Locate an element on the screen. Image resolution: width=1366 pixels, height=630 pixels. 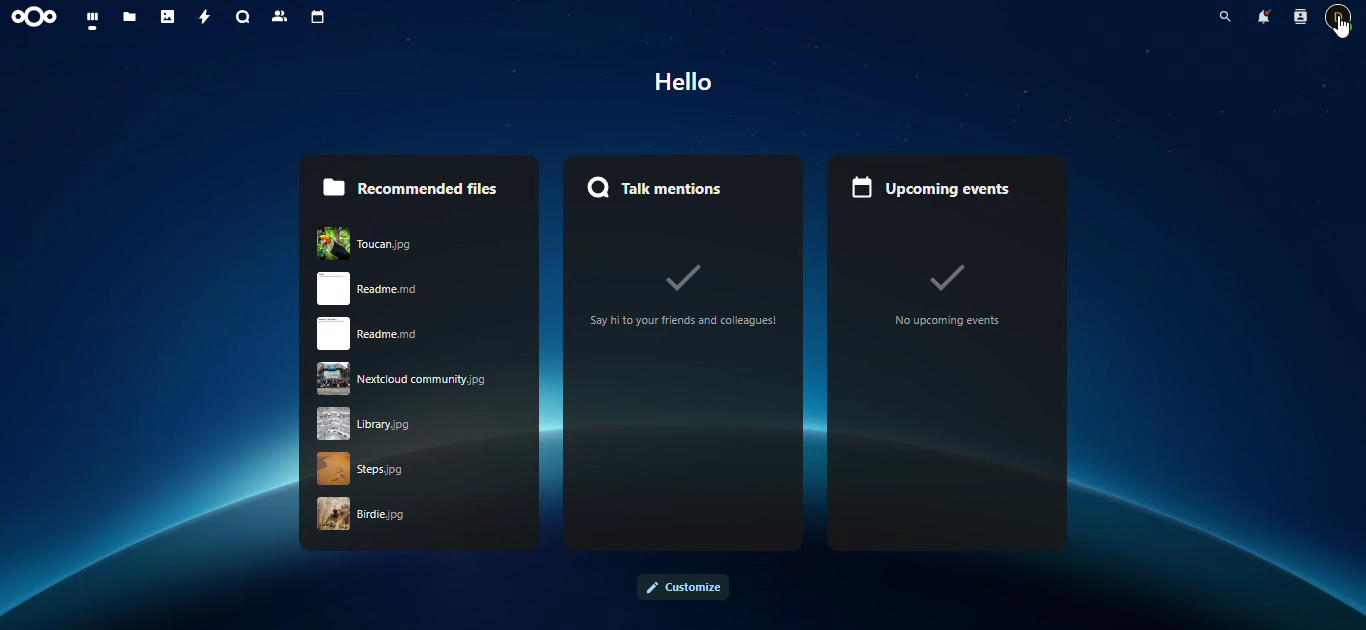
calendar is located at coordinates (319, 18).